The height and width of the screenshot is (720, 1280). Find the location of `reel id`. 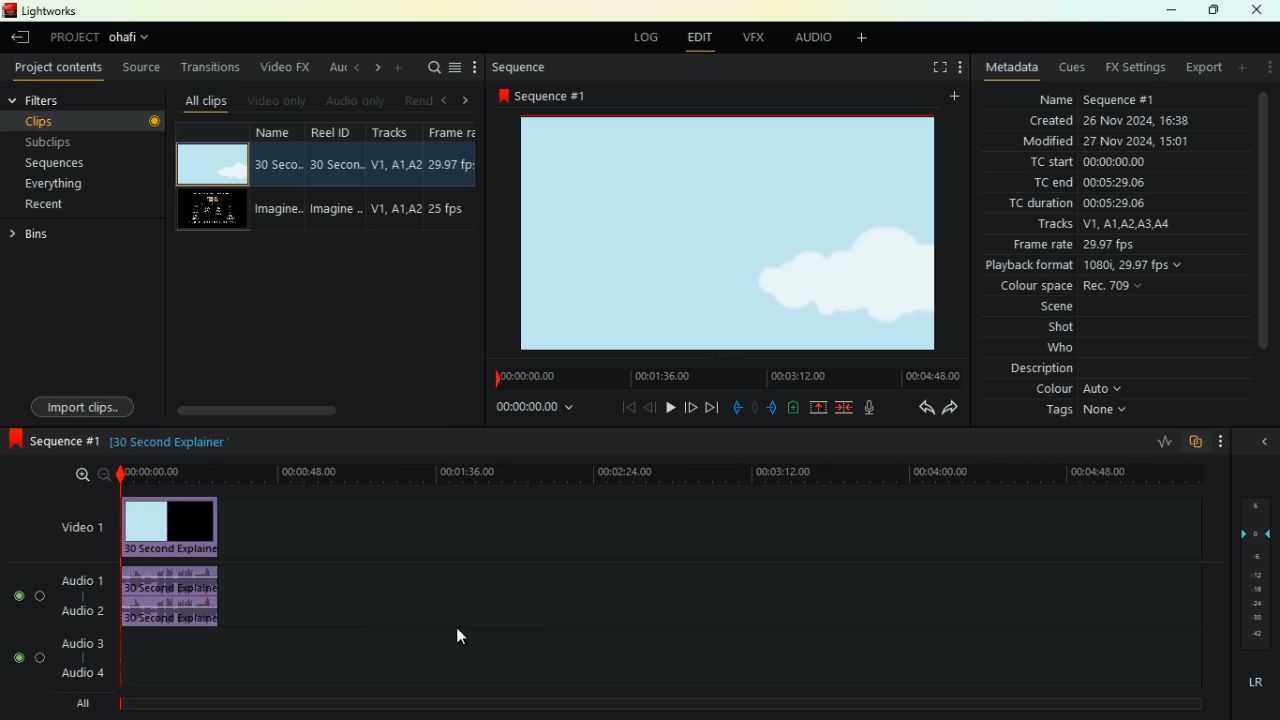

reel id is located at coordinates (337, 175).